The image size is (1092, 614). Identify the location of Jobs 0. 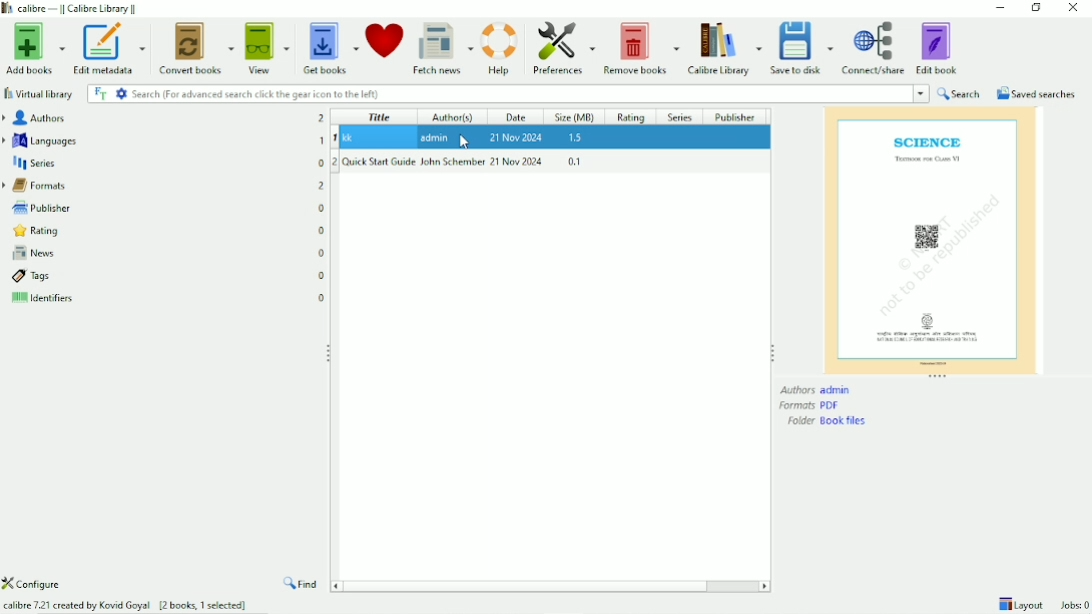
(1071, 606).